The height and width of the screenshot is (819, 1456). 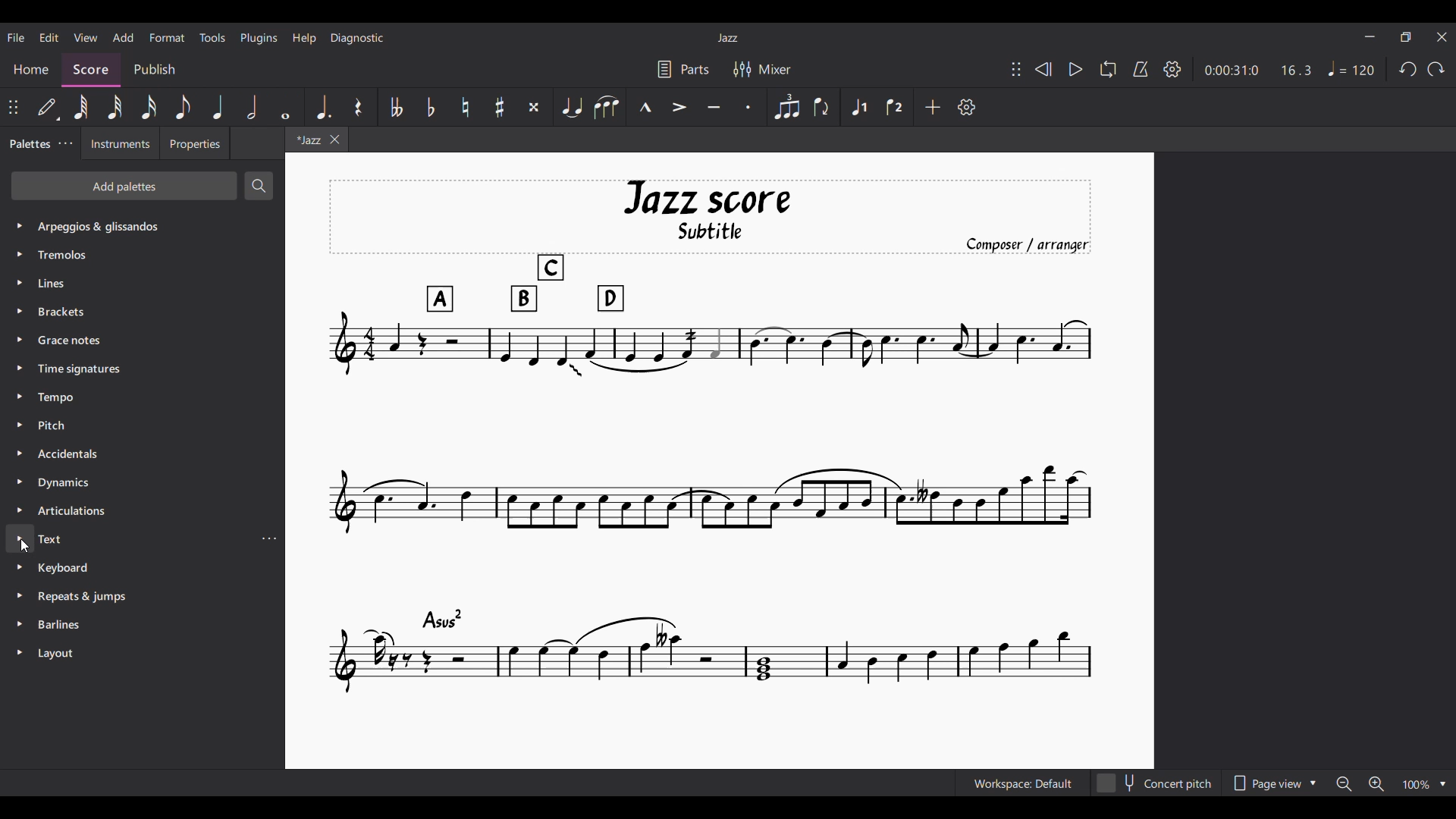 I want to click on Marcato, so click(x=646, y=106).